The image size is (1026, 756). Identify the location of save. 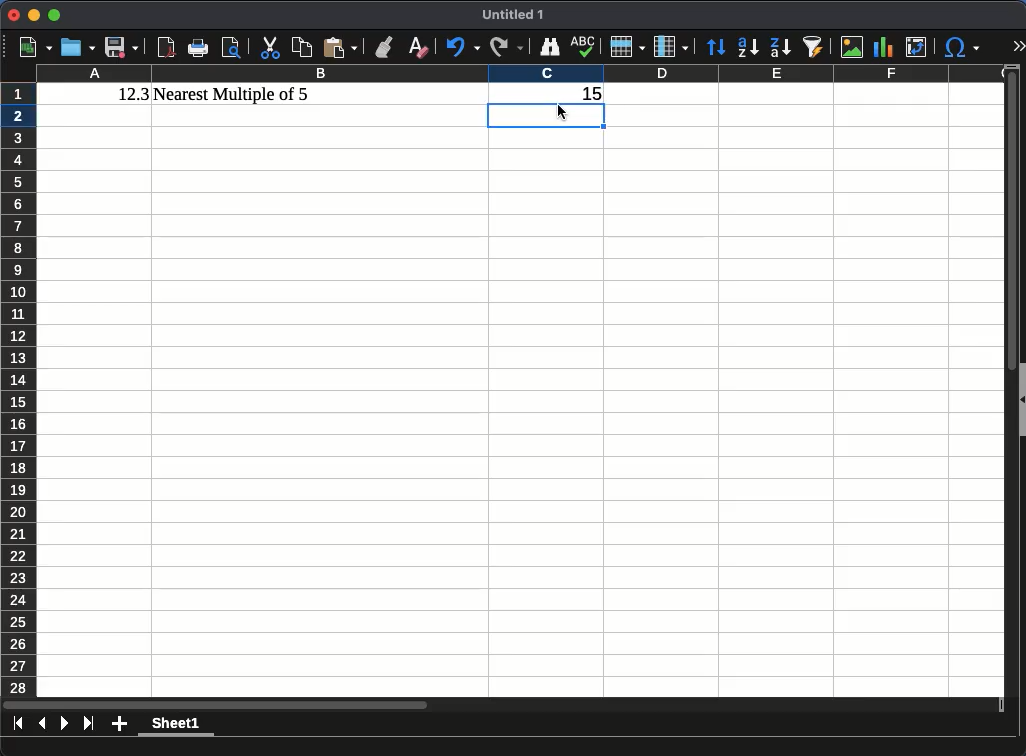
(121, 47).